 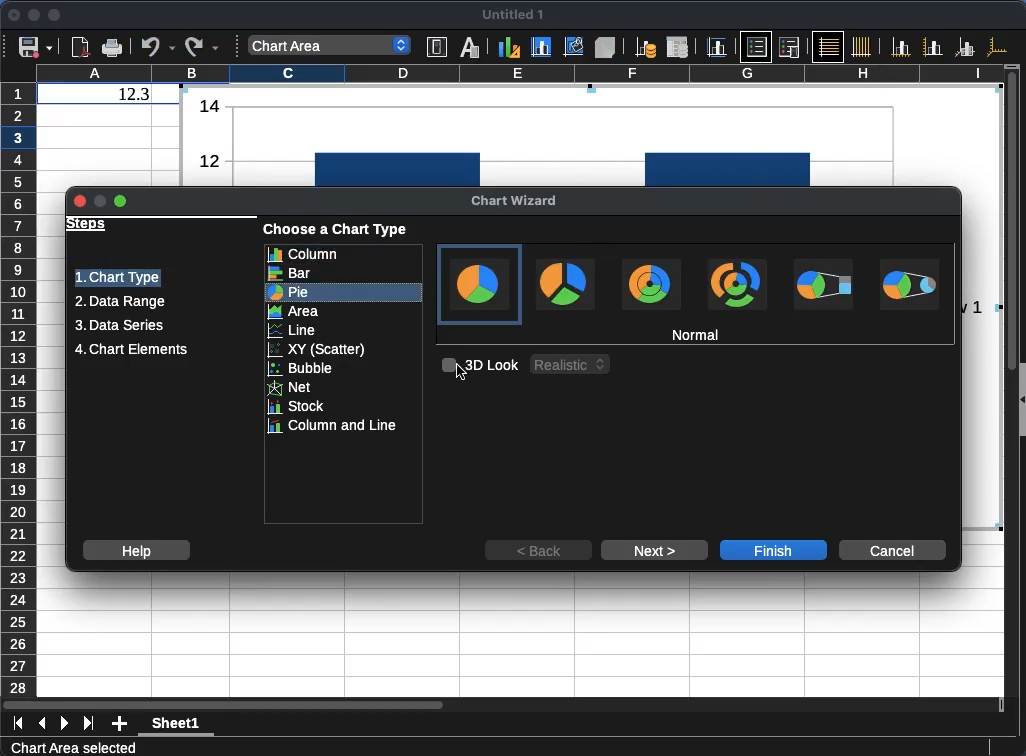 What do you see at coordinates (716, 47) in the screenshot?
I see `Titles` at bounding box center [716, 47].